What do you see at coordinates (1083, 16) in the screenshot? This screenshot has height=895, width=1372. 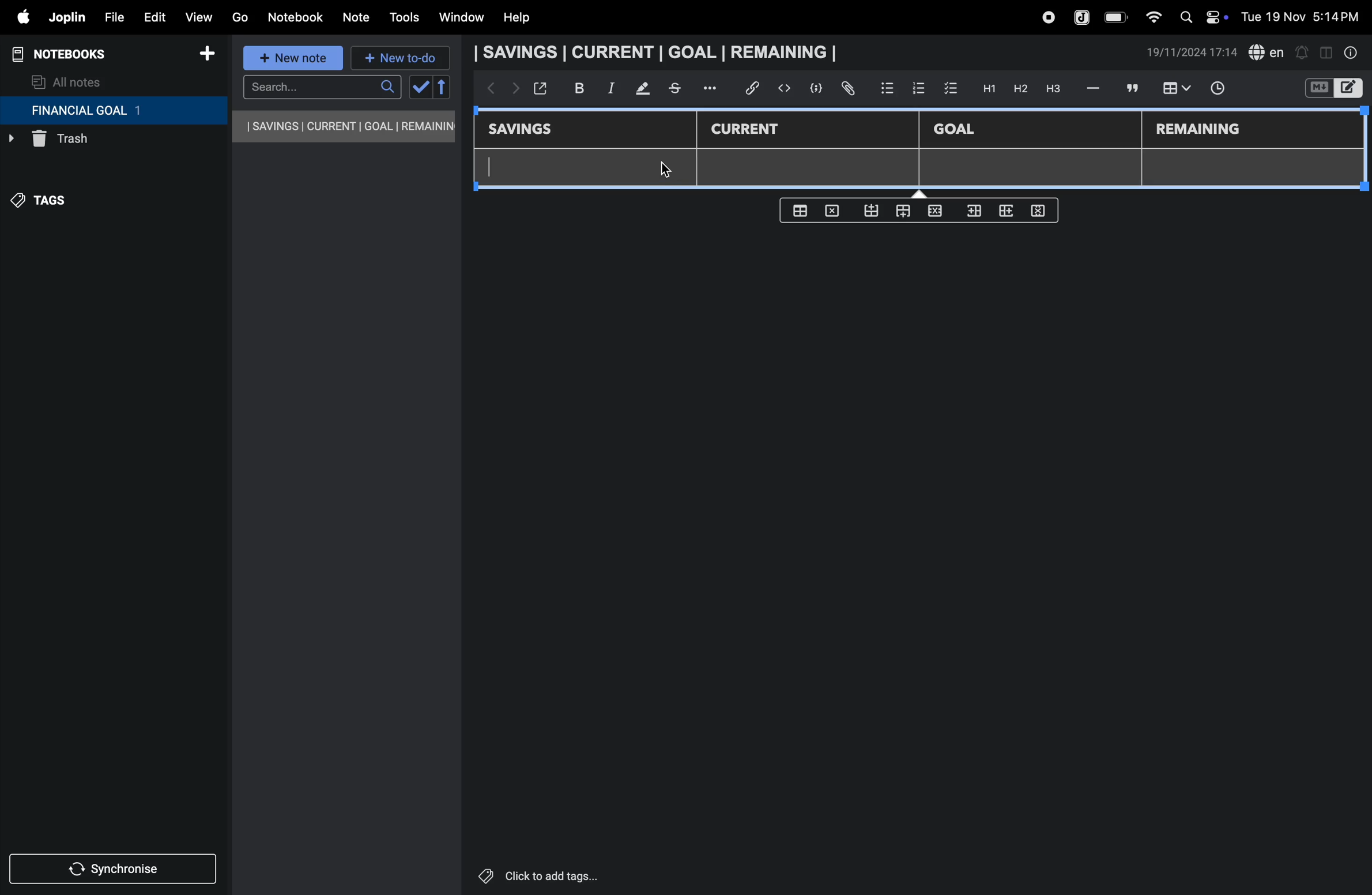 I see `joplin` at bounding box center [1083, 16].